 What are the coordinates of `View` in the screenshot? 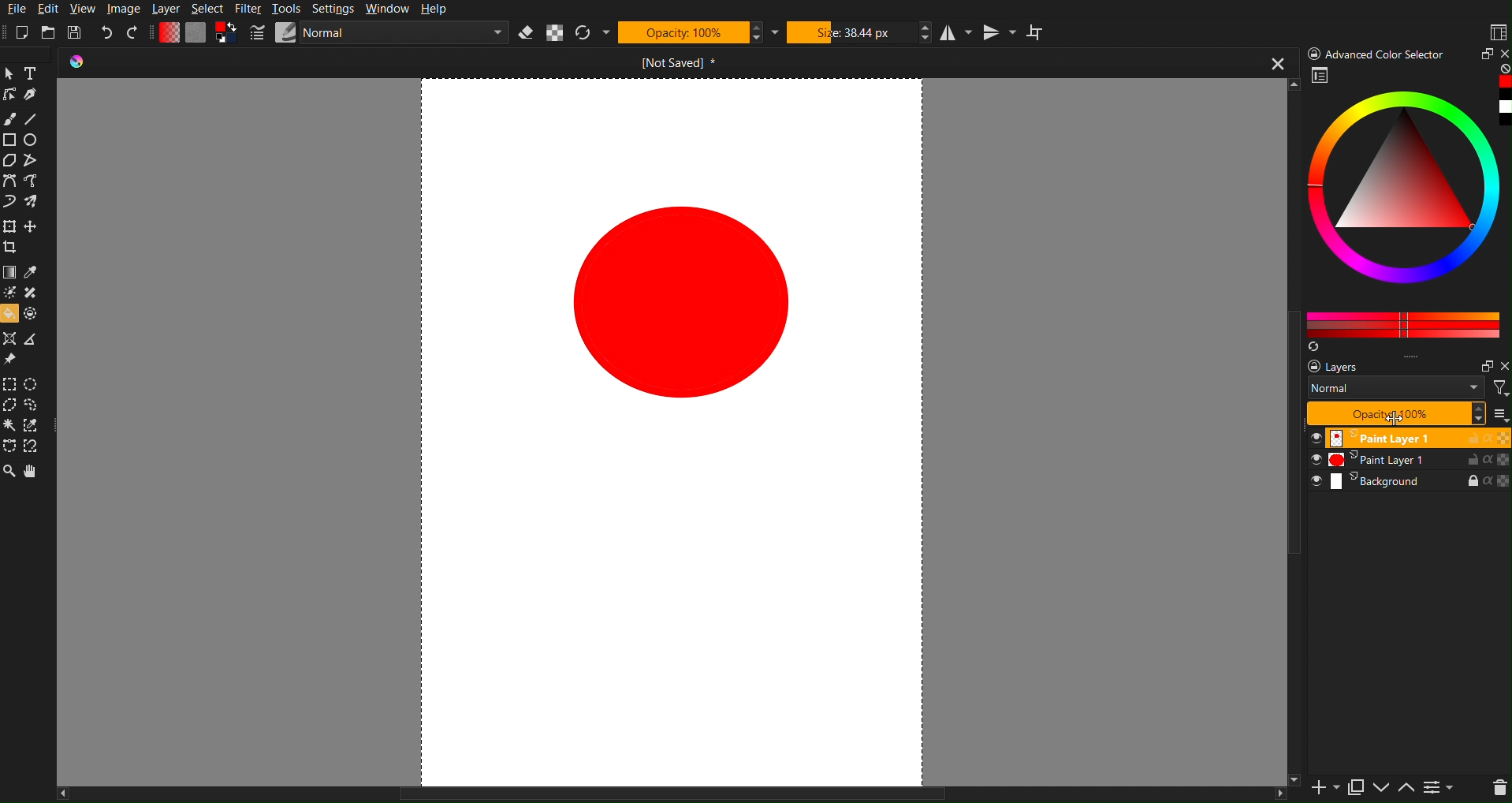 It's located at (84, 10).